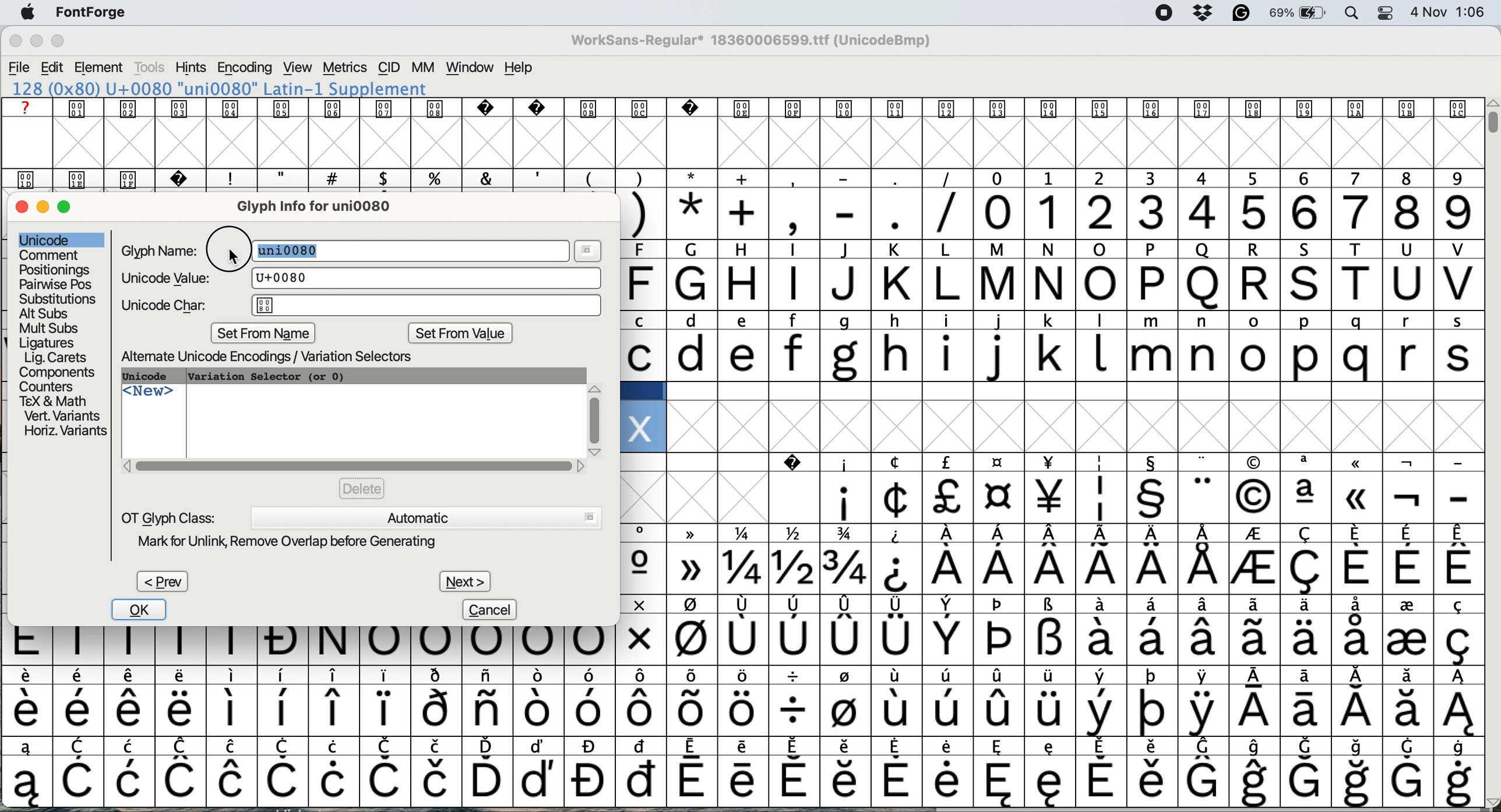 Image resolution: width=1501 pixels, height=812 pixels. I want to click on unicode char, so click(362, 306).